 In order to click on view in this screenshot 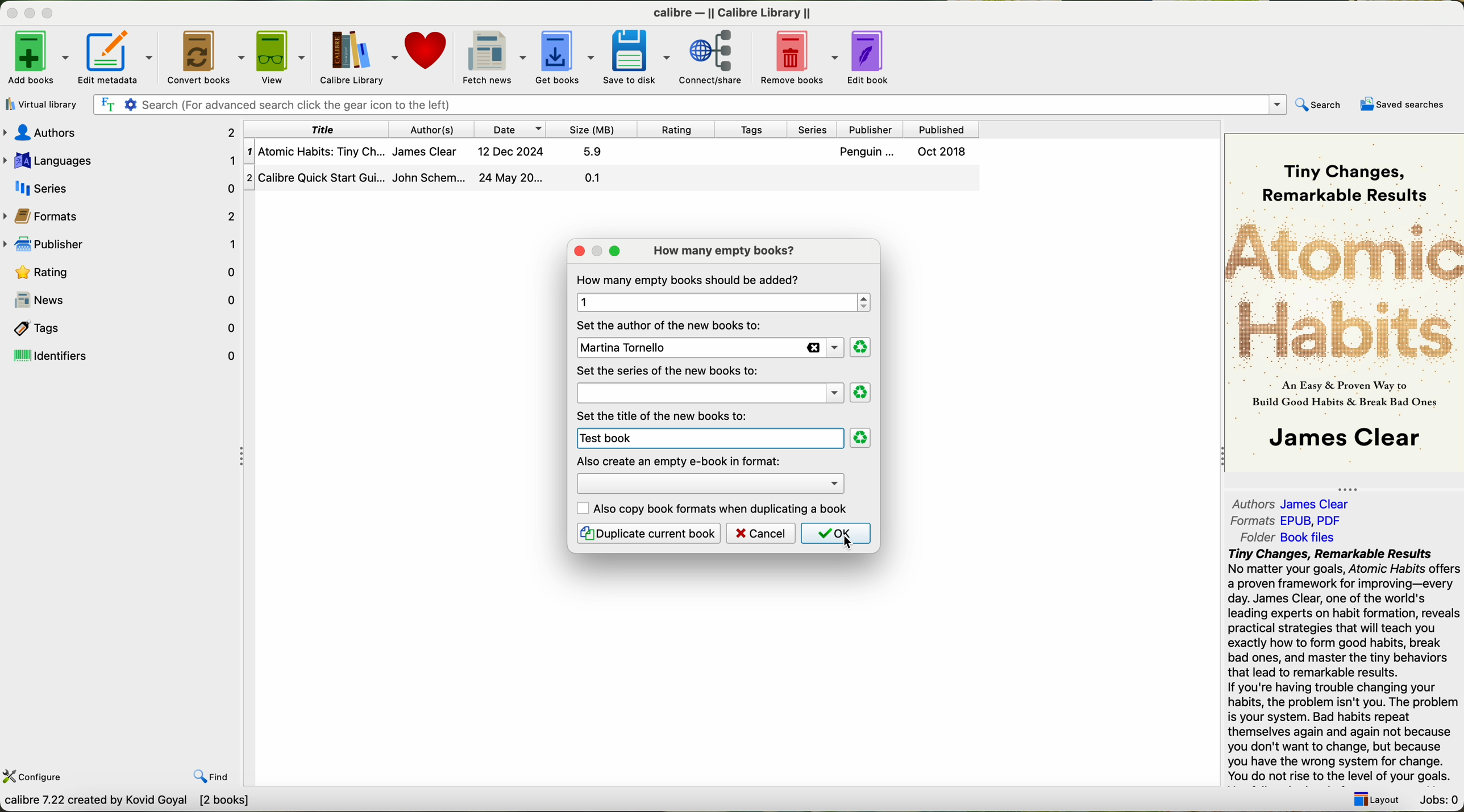, I will do `click(281, 56)`.